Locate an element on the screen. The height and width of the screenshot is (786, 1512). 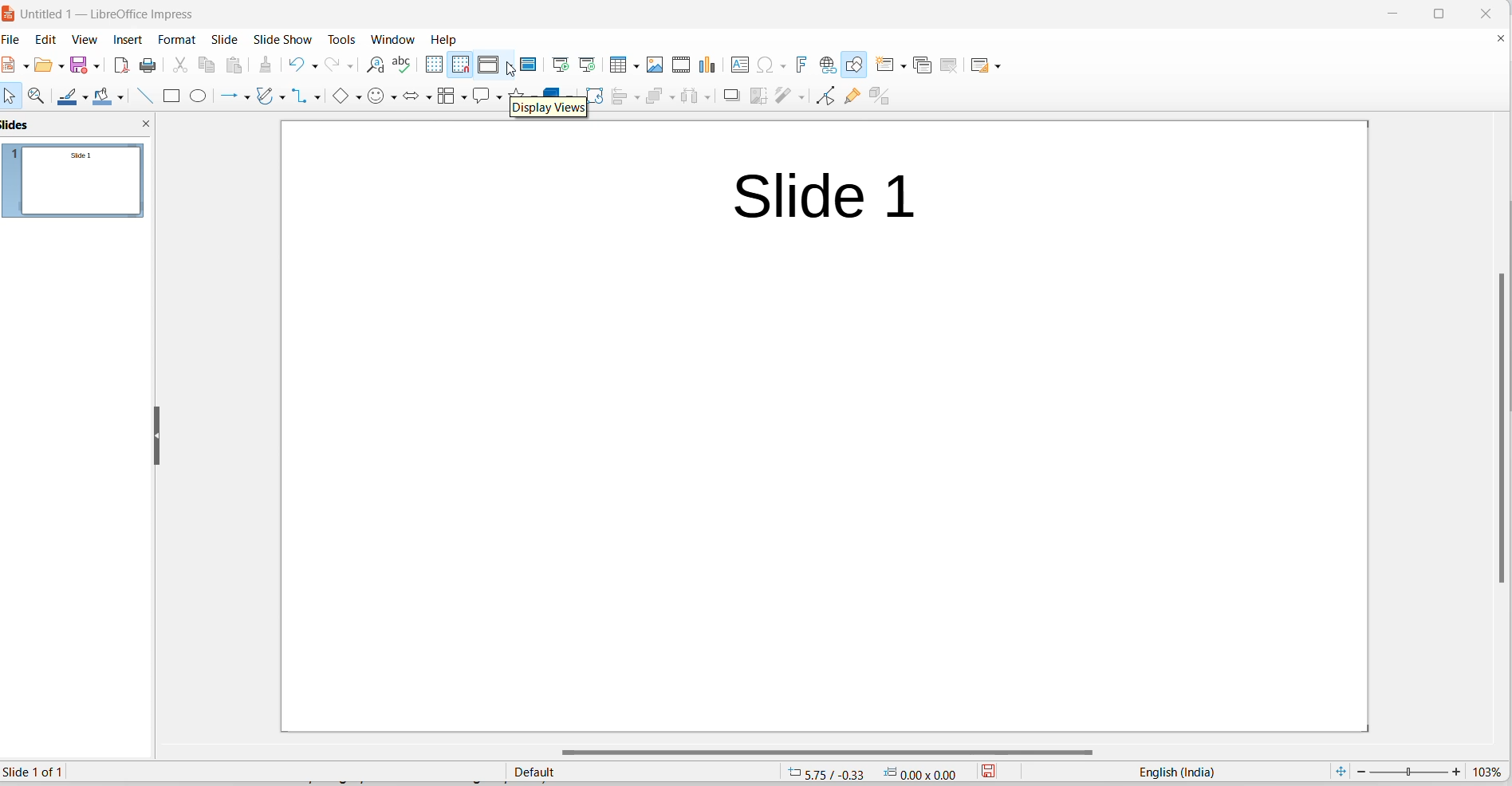
filters is located at coordinates (781, 97).